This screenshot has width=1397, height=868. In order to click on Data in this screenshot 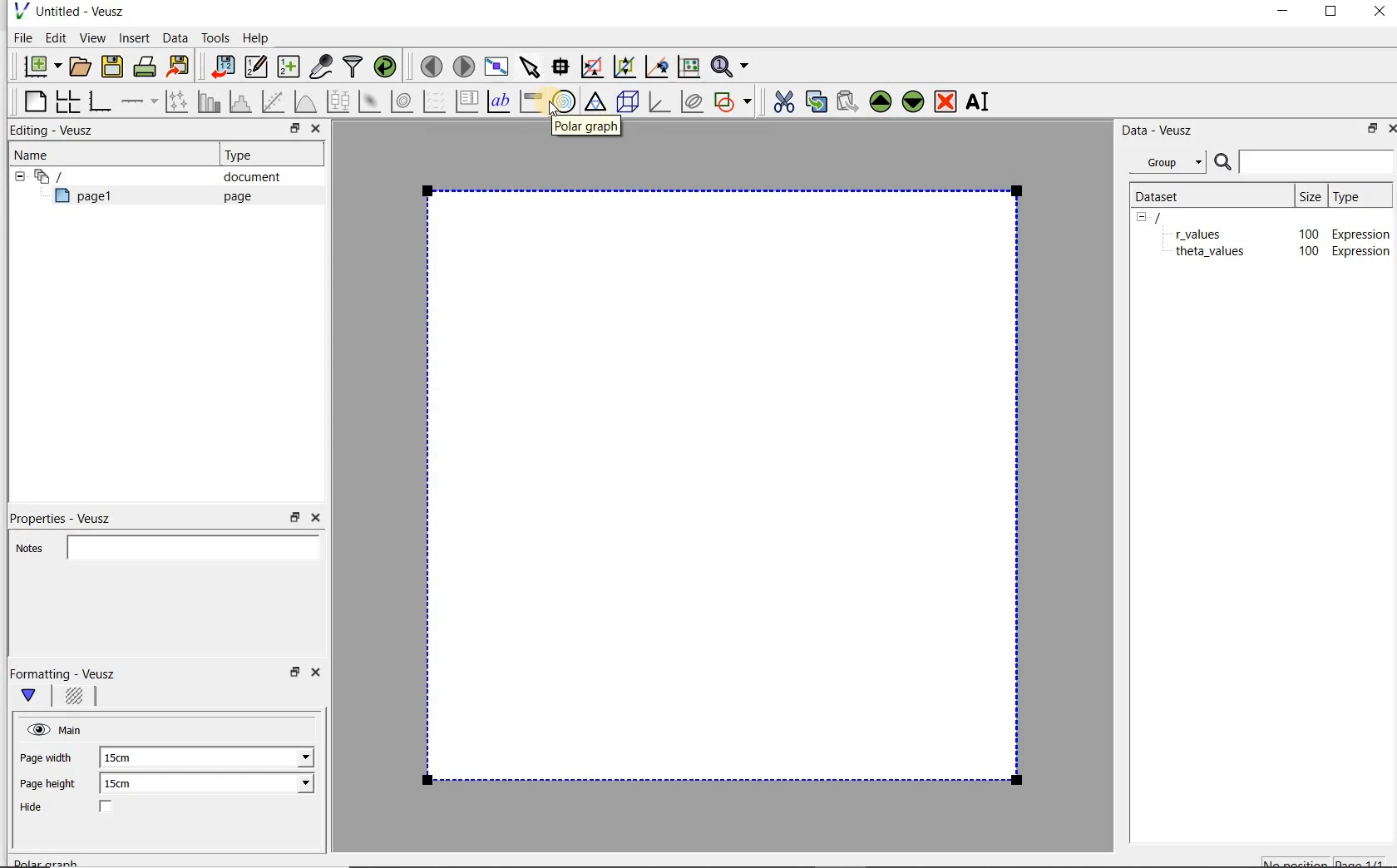, I will do `click(176, 37)`.